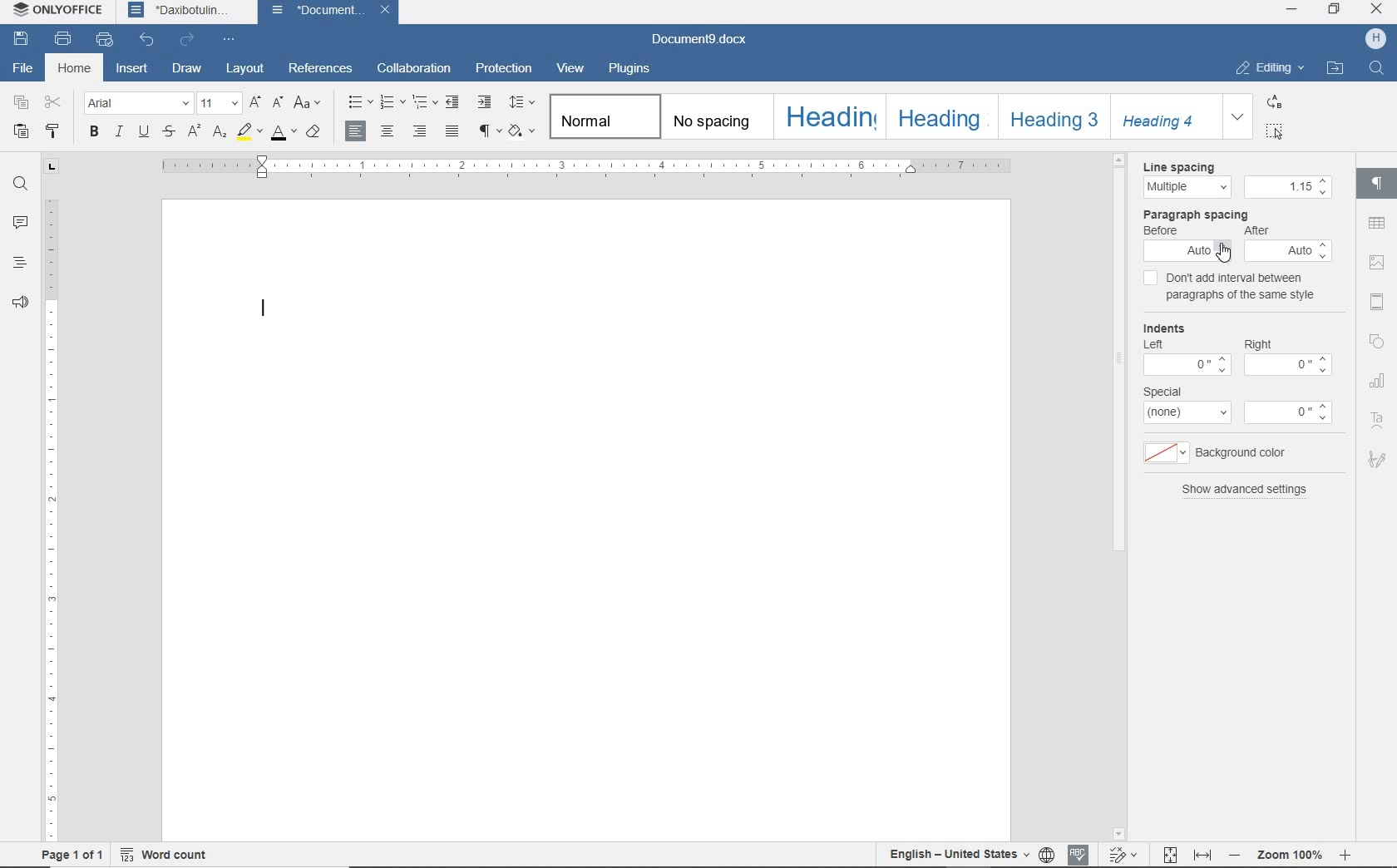 This screenshot has height=868, width=1397. I want to click on special, so click(1162, 392).